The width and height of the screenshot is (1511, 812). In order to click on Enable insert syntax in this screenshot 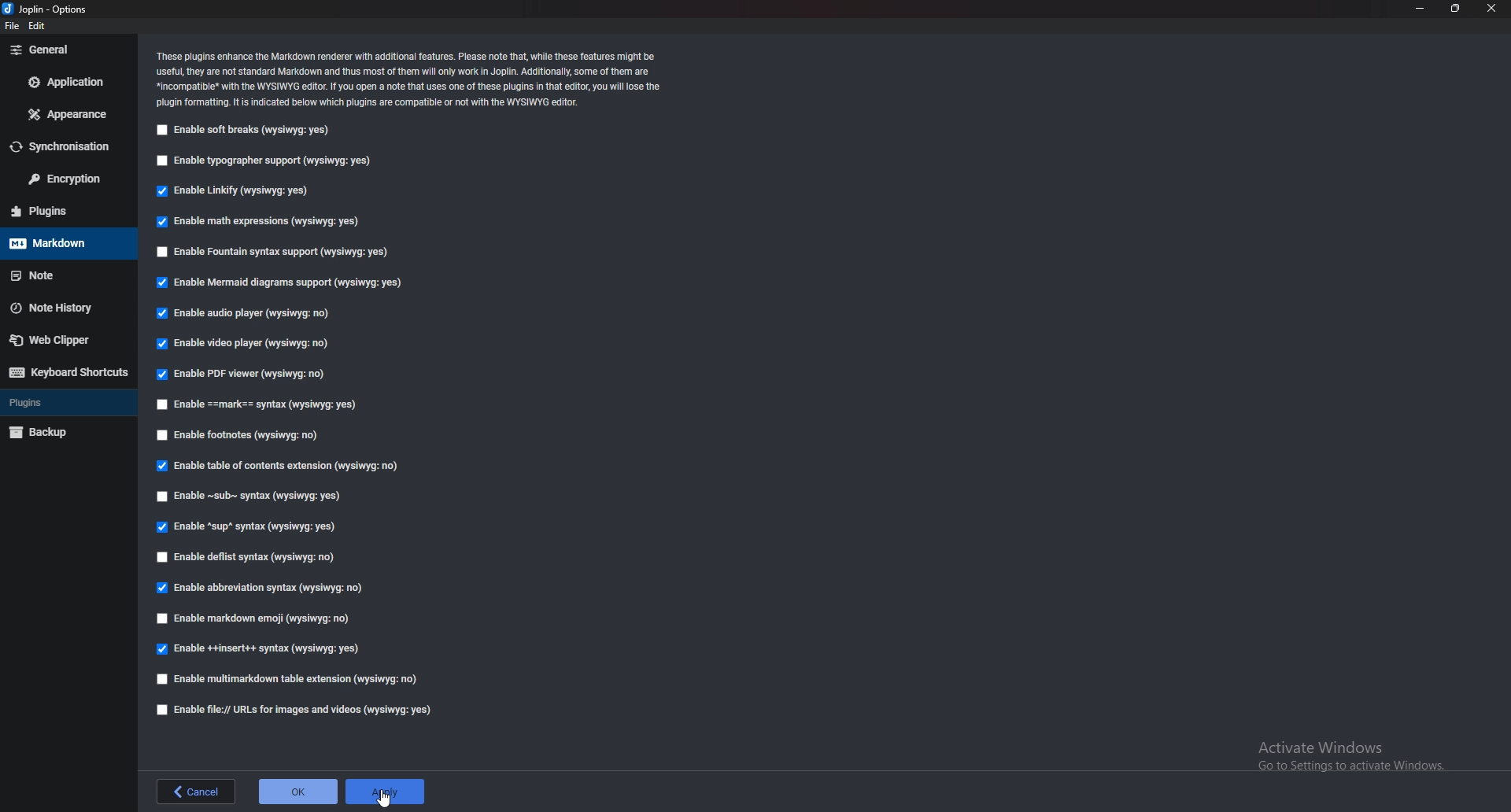, I will do `click(270, 648)`.